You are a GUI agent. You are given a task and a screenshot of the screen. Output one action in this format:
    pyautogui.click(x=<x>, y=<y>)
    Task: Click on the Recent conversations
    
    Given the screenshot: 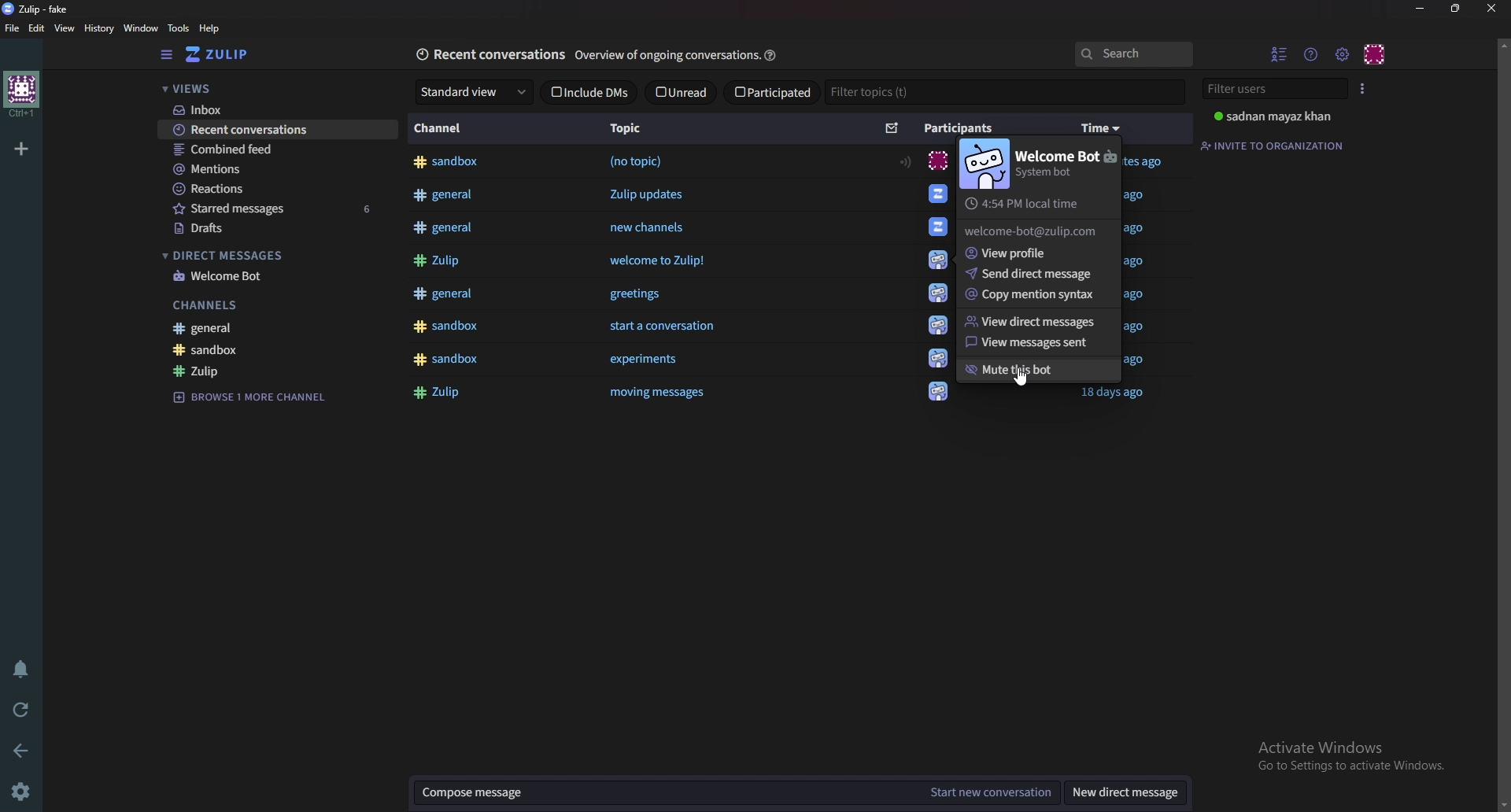 What is the action you would take?
    pyautogui.click(x=275, y=132)
    